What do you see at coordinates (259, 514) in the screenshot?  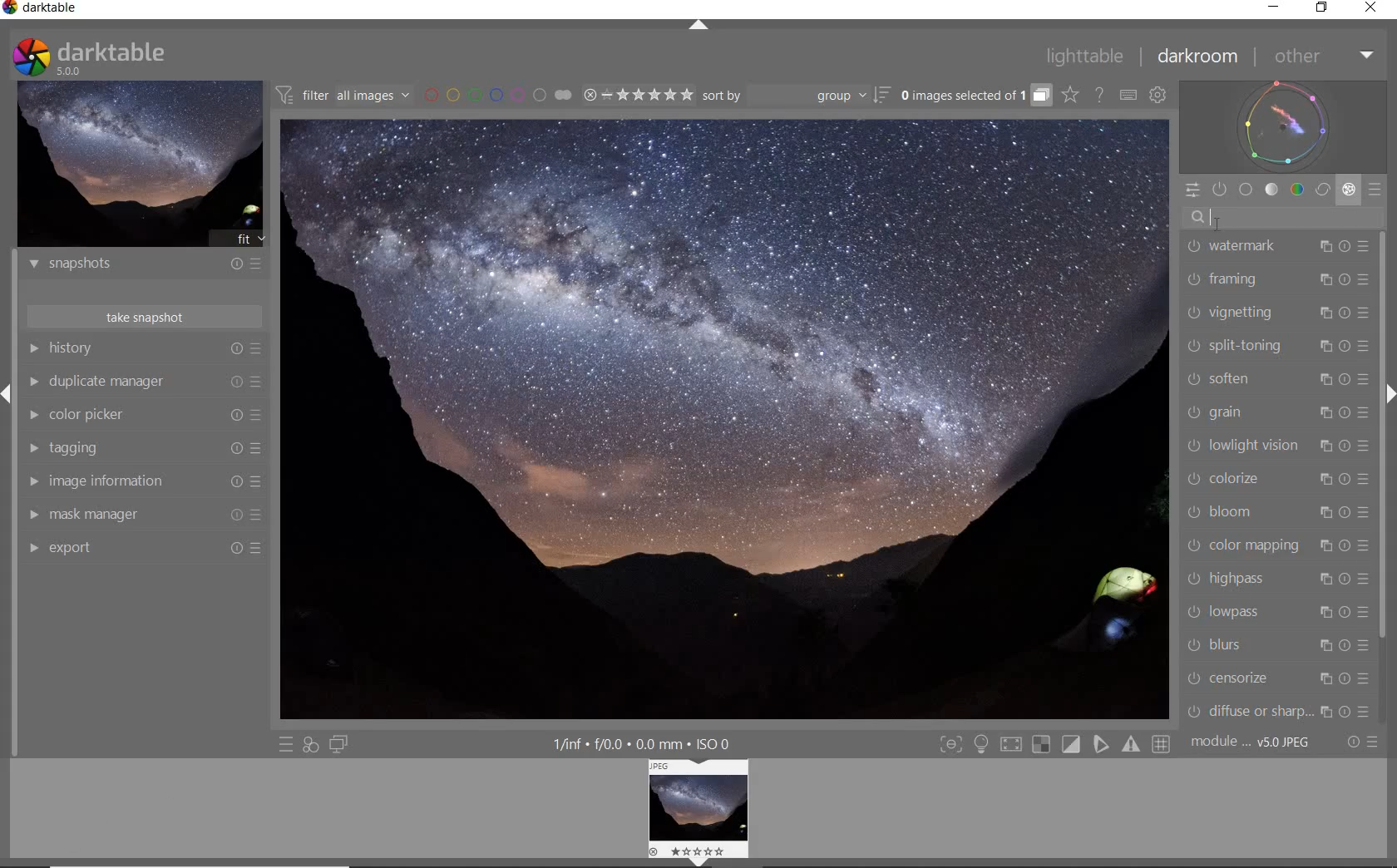 I see `Presets and preferences` at bounding box center [259, 514].